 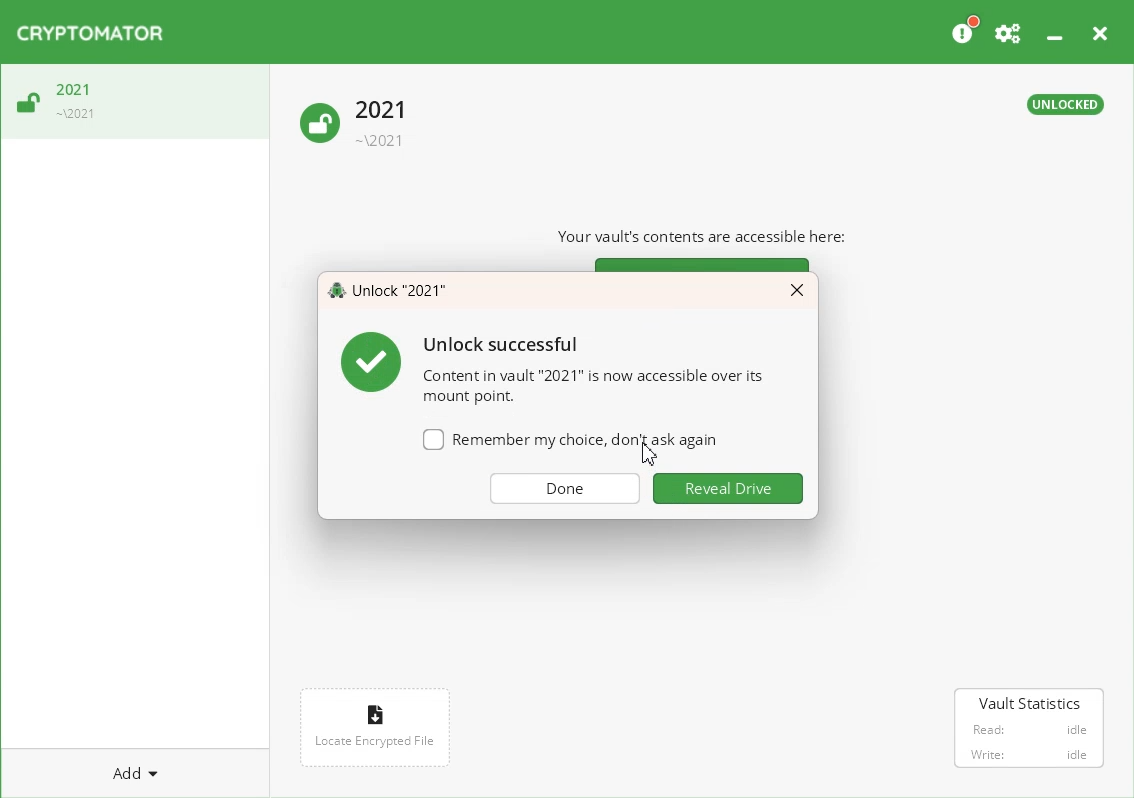 What do you see at coordinates (569, 445) in the screenshot?
I see `Remember my choice, don't ask again` at bounding box center [569, 445].